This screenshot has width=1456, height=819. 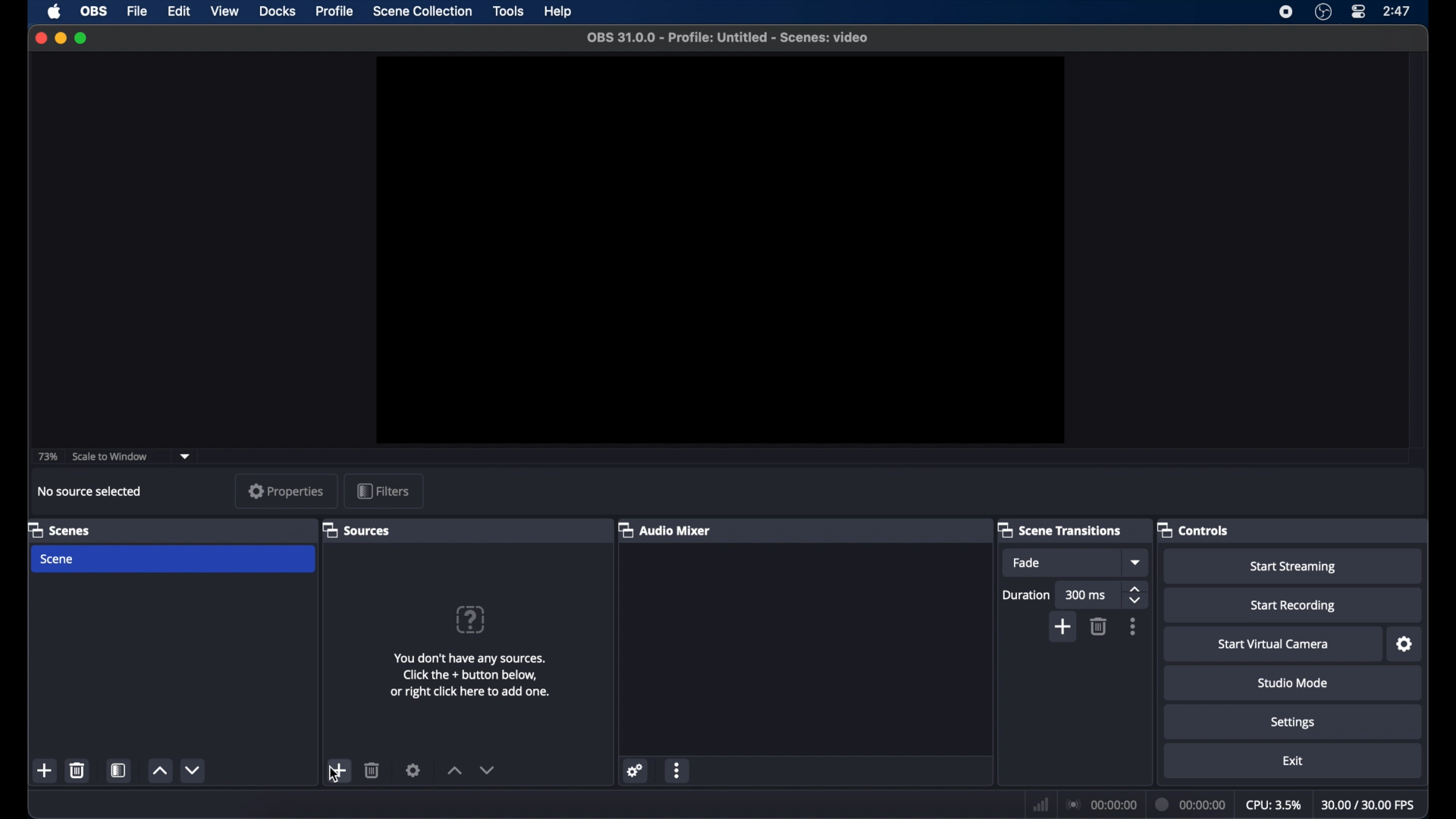 What do you see at coordinates (335, 11) in the screenshot?
I see `profile` at bounding box center [335, 11].